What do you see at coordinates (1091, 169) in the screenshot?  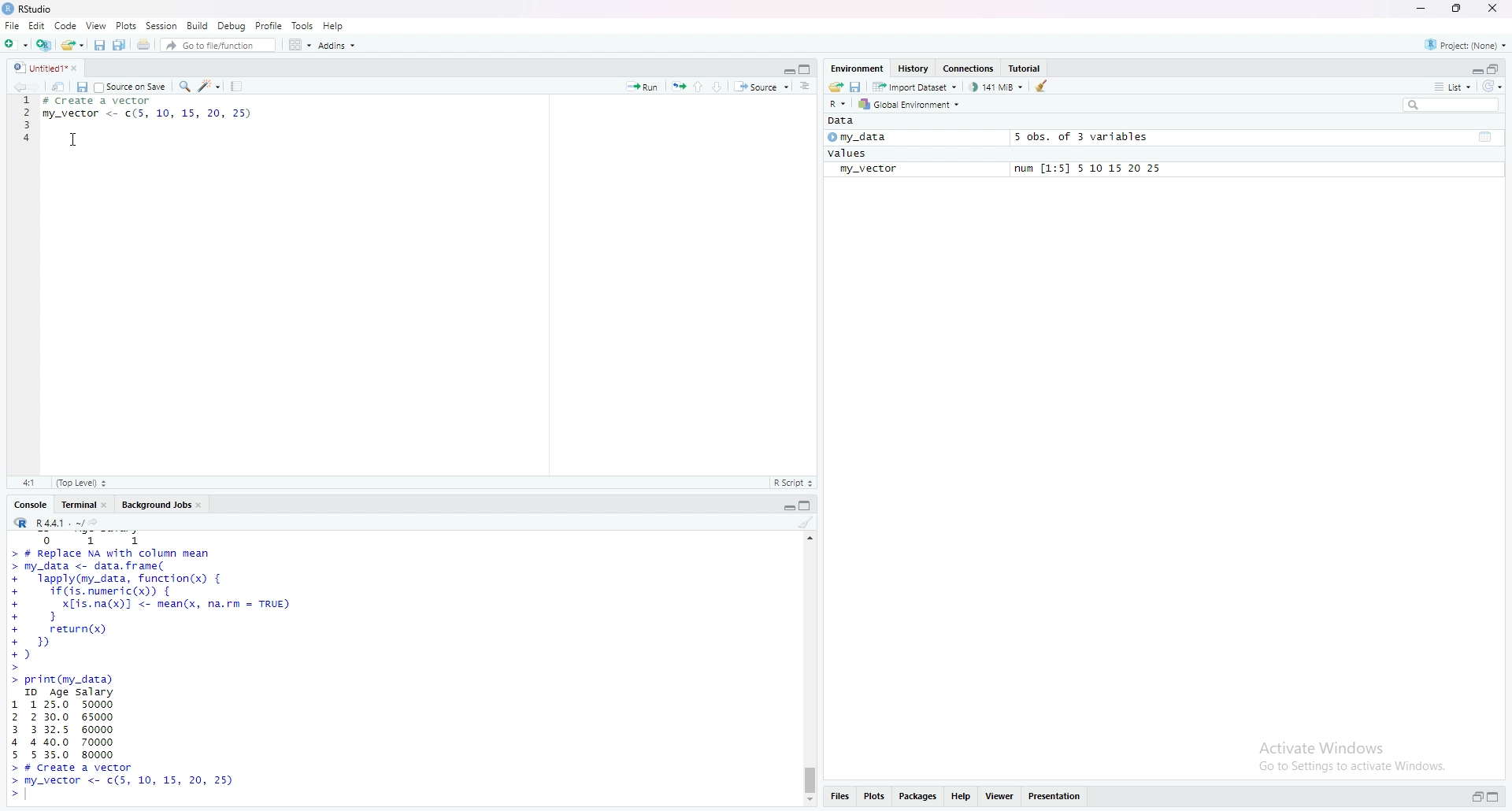 I see `num [1:5] 5 10 15 20 25` at bounding box center [1091, 169].